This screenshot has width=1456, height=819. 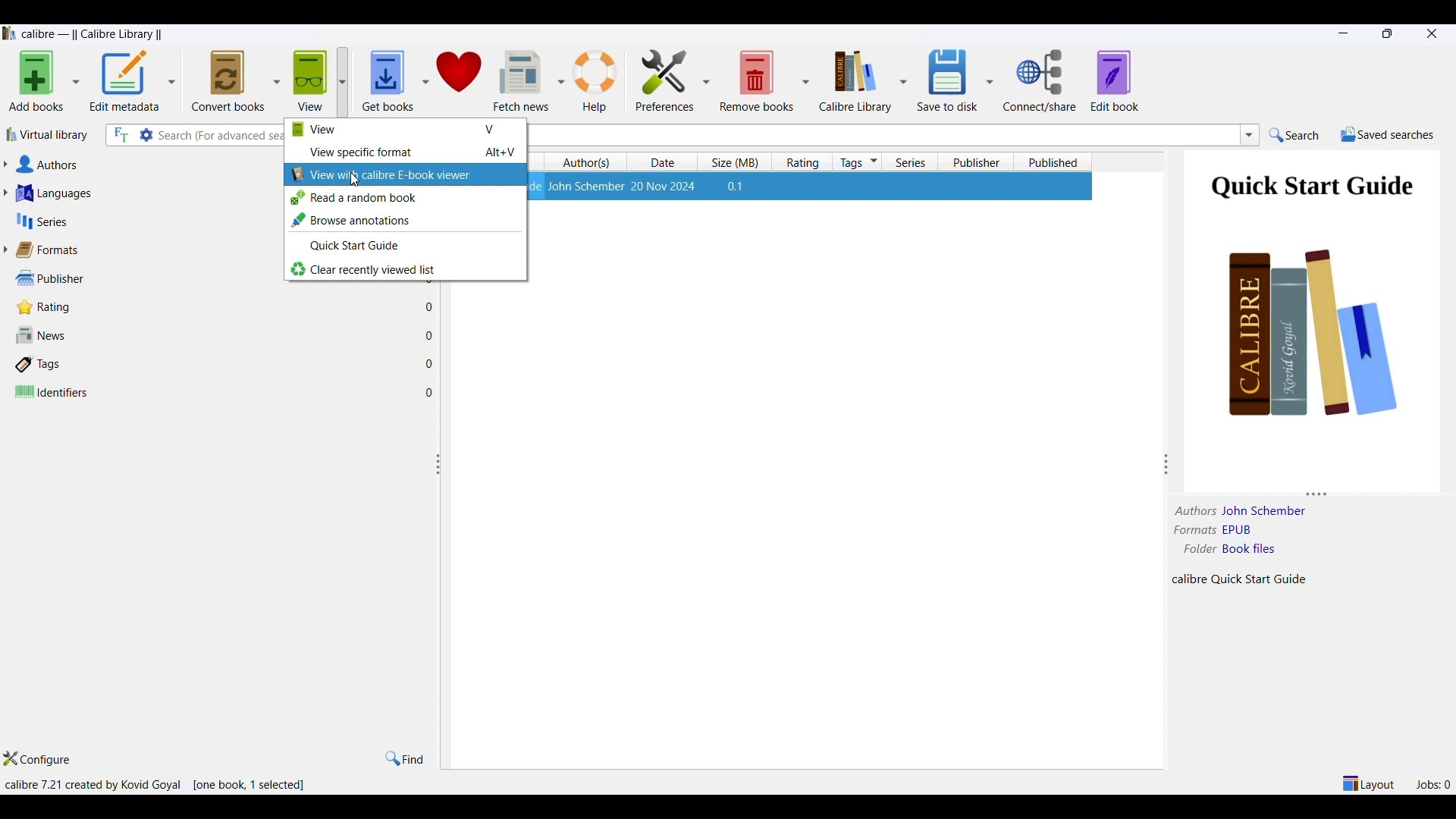 What do you see at coordinates (668, 162) in the screenshot?
I see `date` at bounding box center [668, 162].